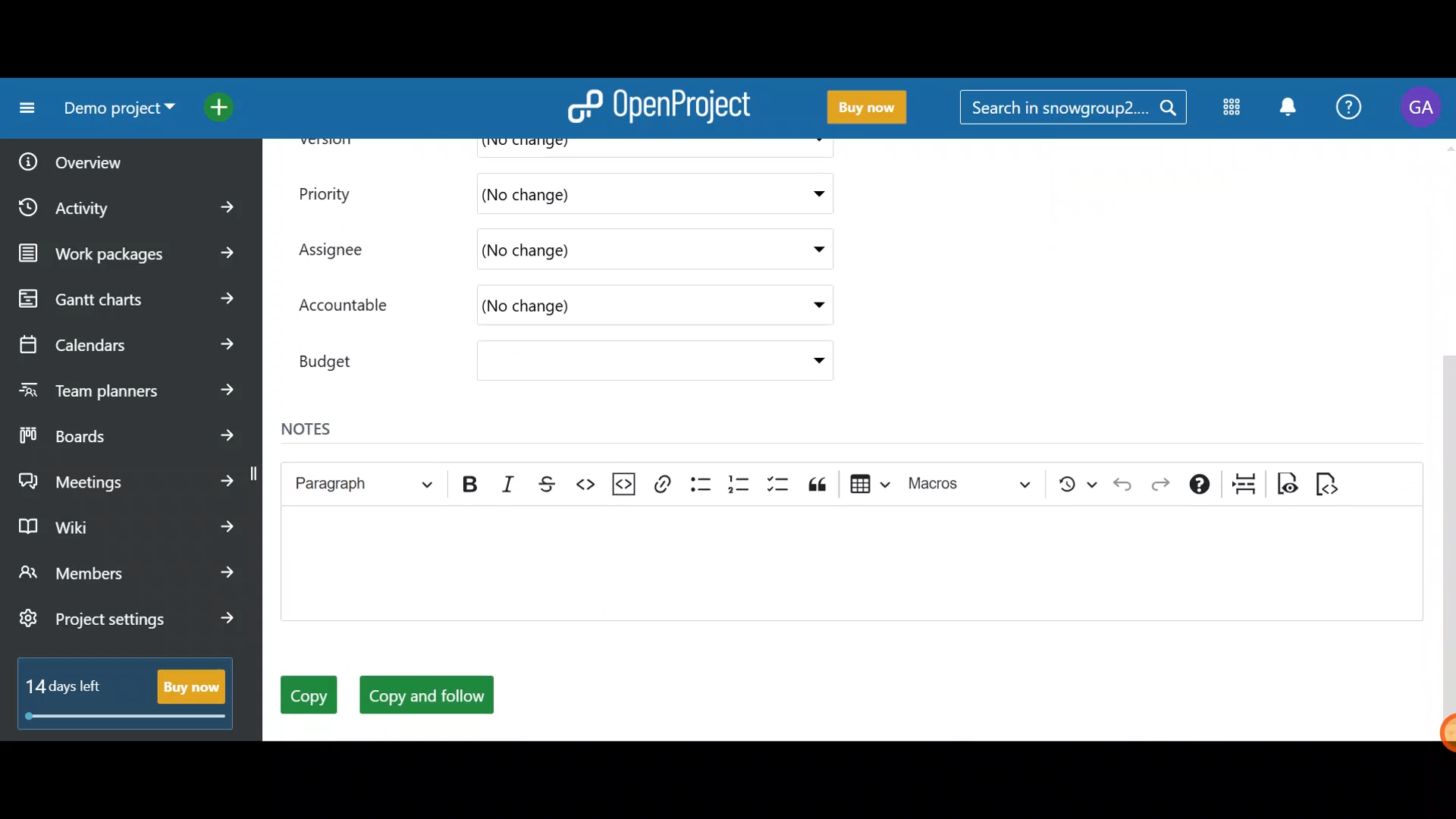 Image resolution: width=1456 pixels, height=819 pixels. I want to click on Italic, so click(515, 486).